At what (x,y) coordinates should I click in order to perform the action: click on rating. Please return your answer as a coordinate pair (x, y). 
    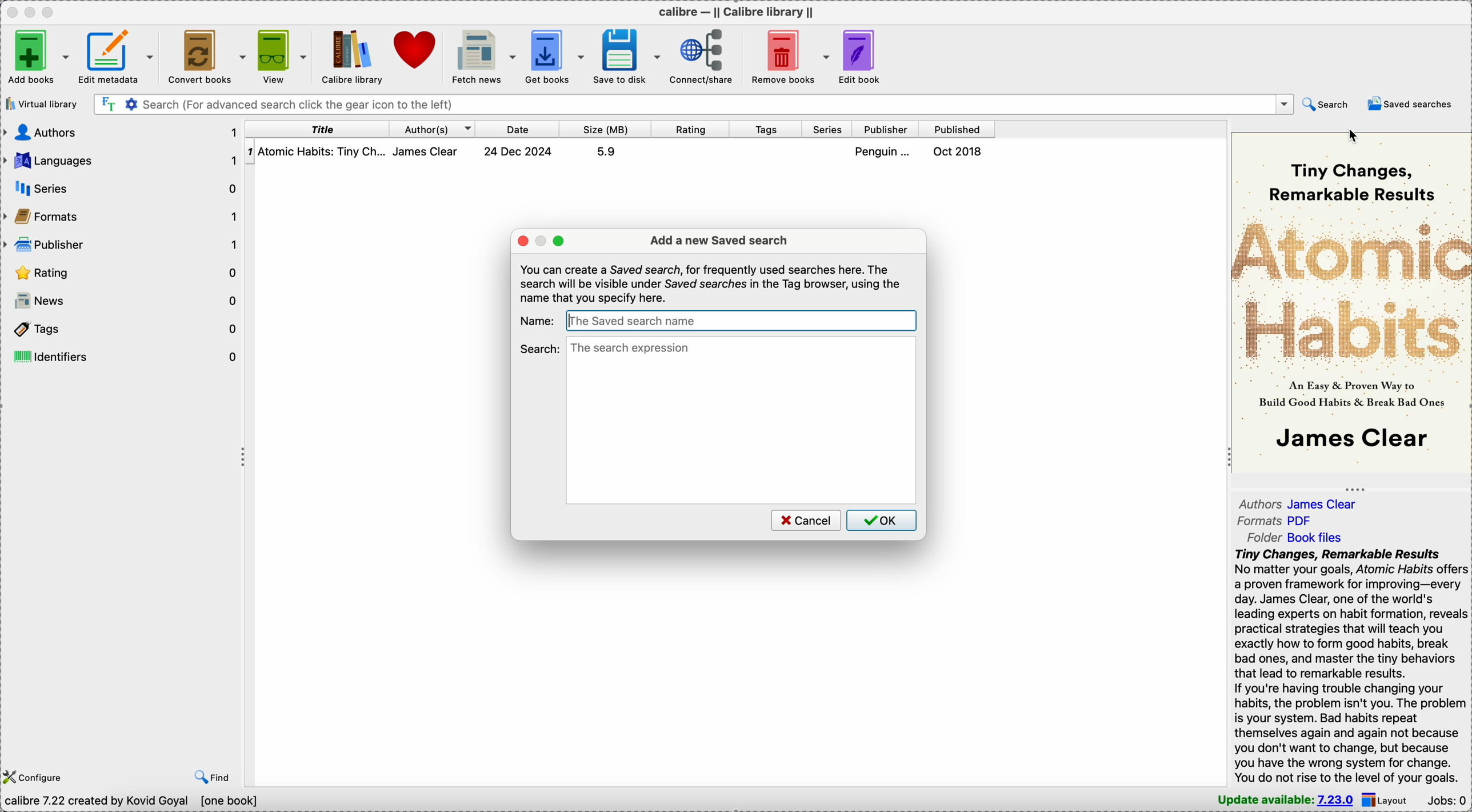
    Looking at the image, I should click on (691, 129).